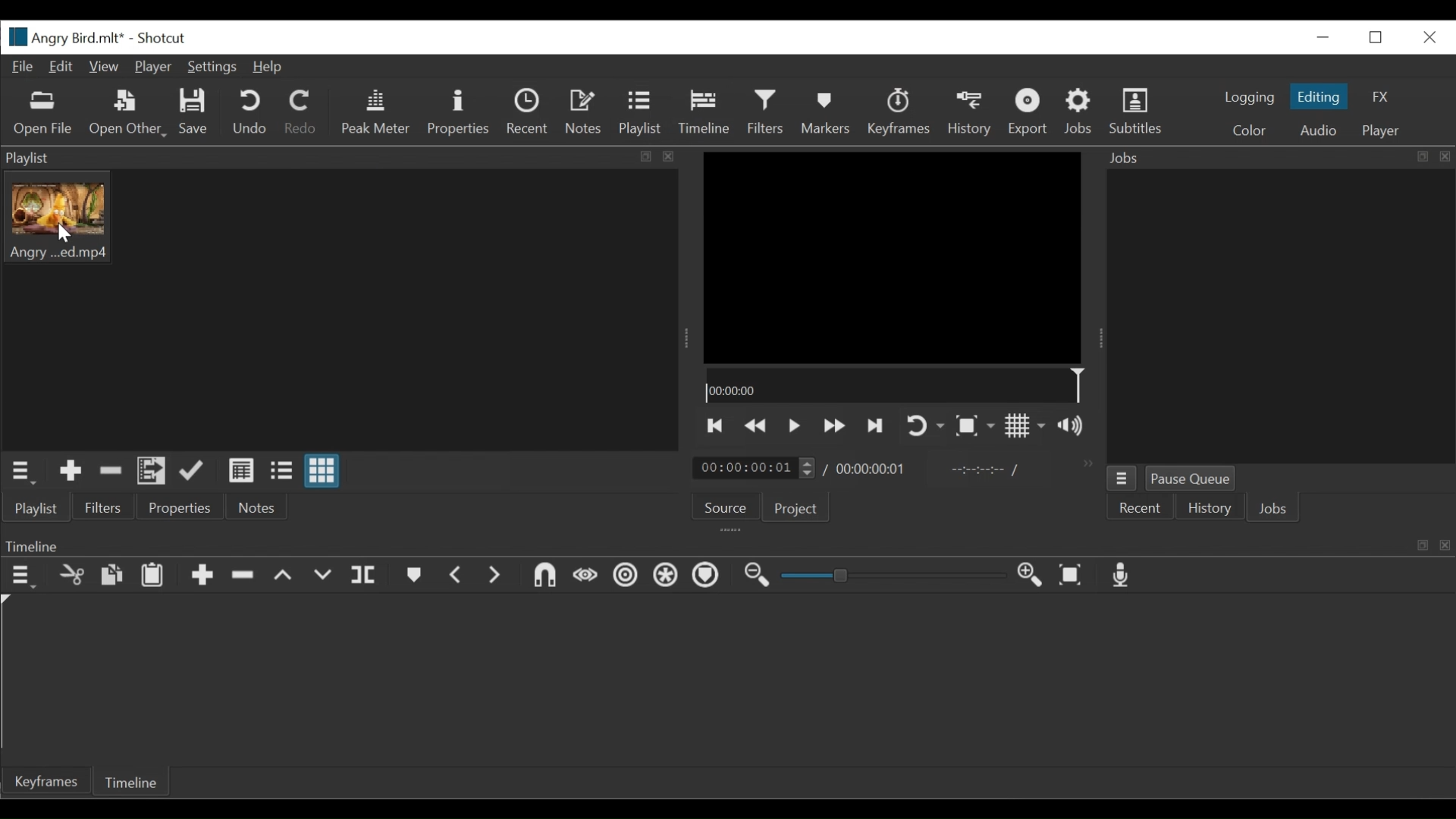 The height and width of the screenshot is (819, 1456). What do you see at coordinates (795, 428) in the screenshot?
I see `Toggle play or pause` at bounding box center [795, 428].